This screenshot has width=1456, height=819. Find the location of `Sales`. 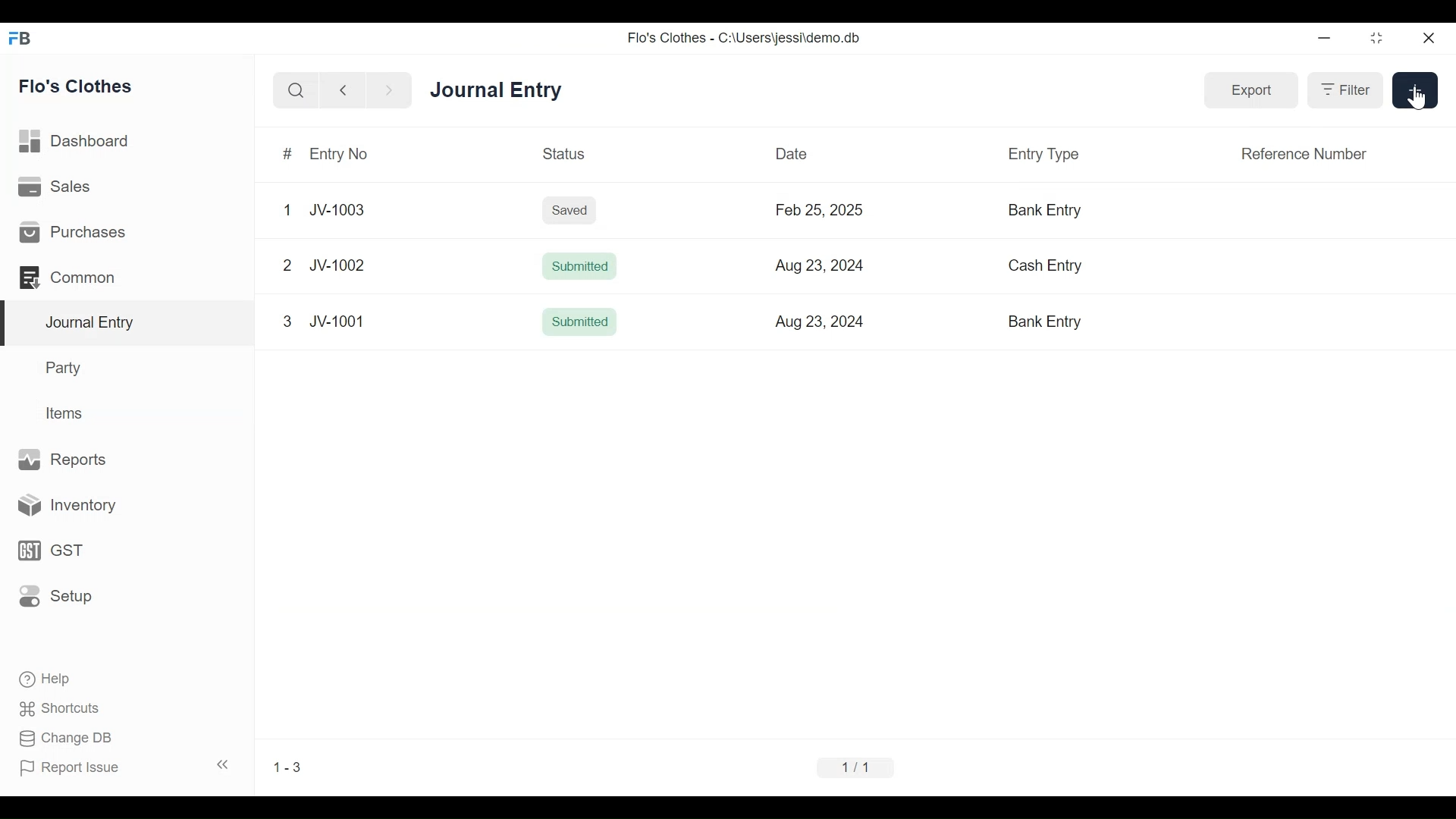

Sales is located at coordinates (57, 186).